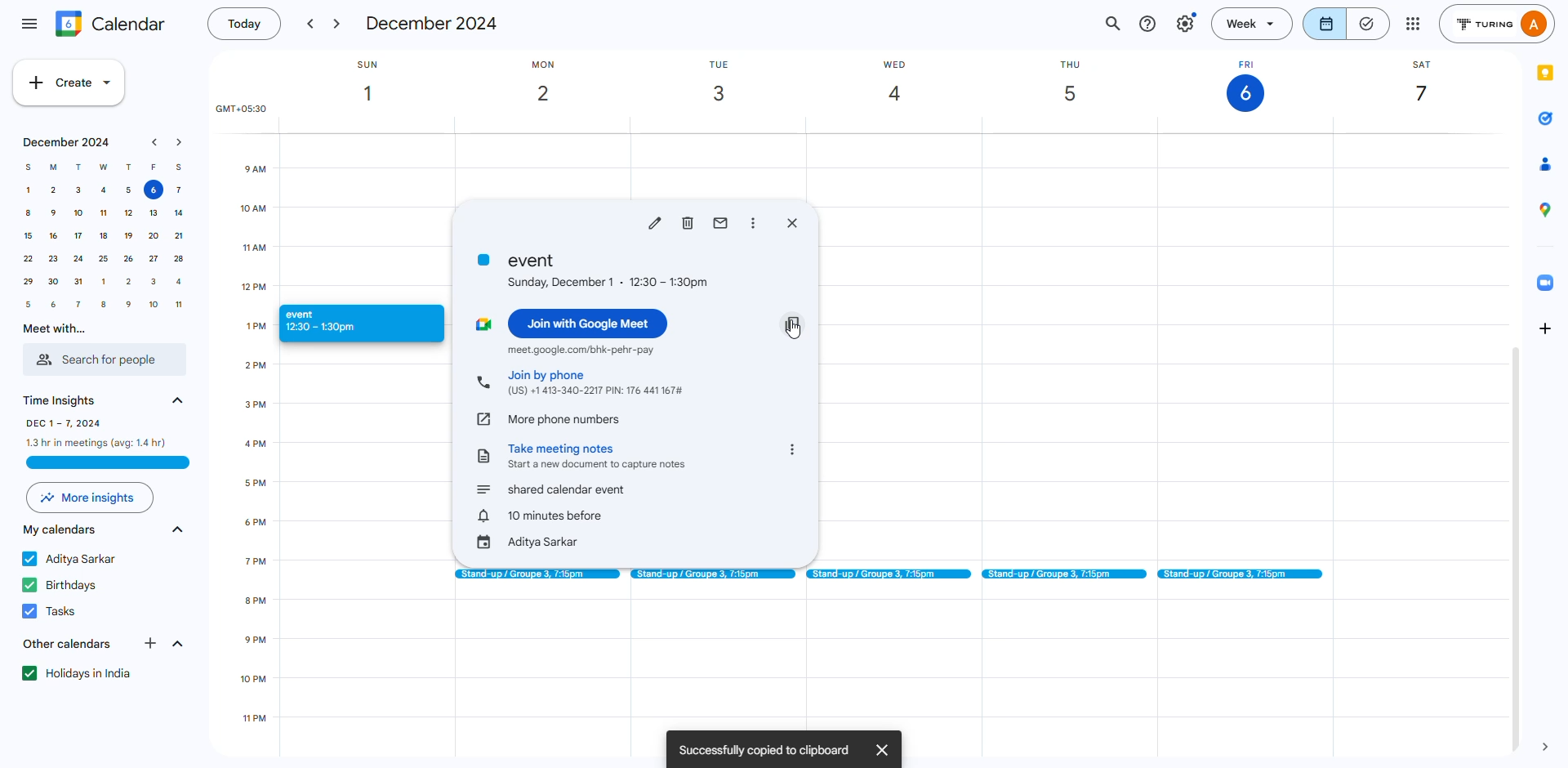 The width and height of the screenshot is (1568, 768). Describe the element at coordinates (655, 222) in the screenshot. I see `edit` at that location.